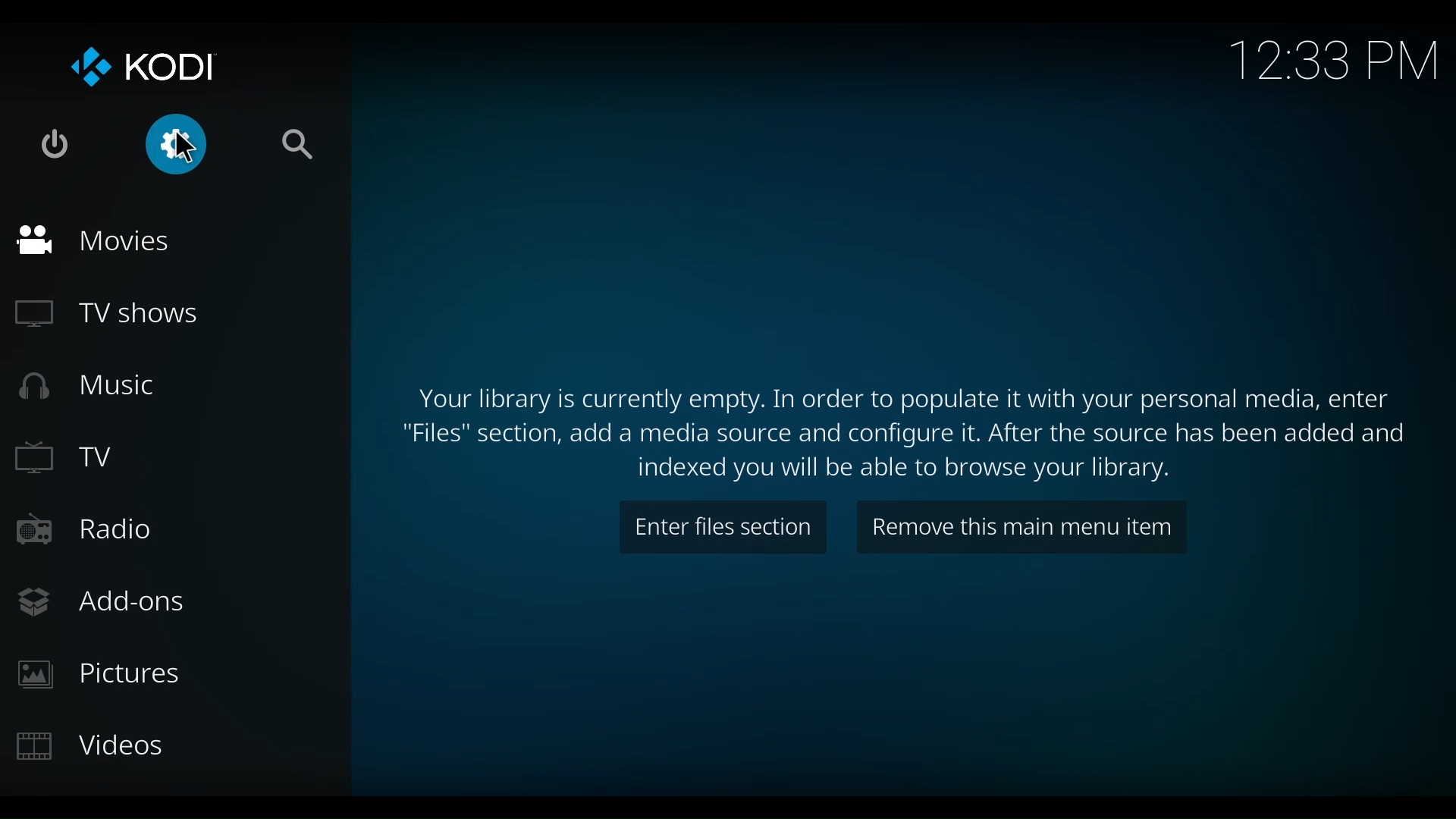 This screenshot has width=1456, height=819. Describe the element at coordinates (55, 143) in the screenshot. I see `Power options` at that location.